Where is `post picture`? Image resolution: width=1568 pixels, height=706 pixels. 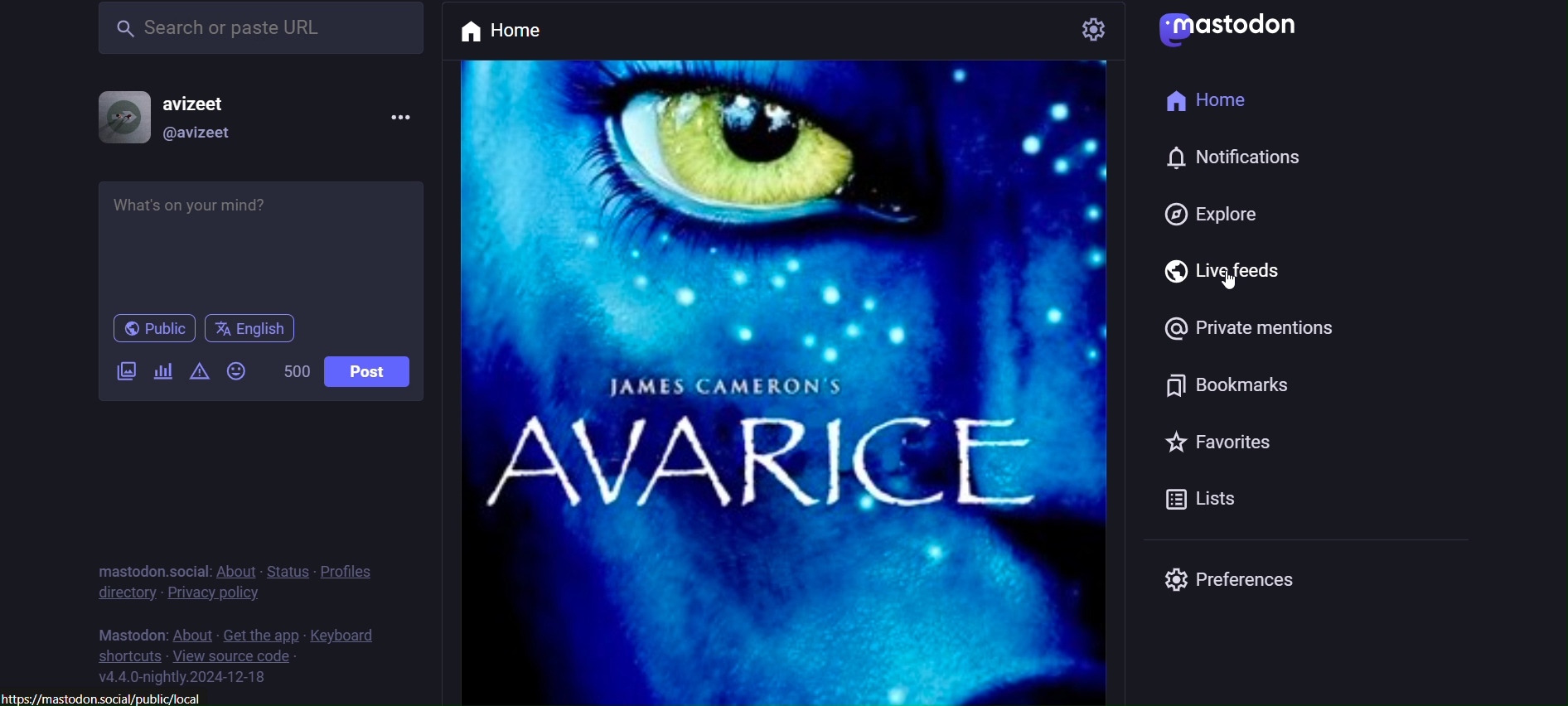
post picture is located at coordinates (789, 384).